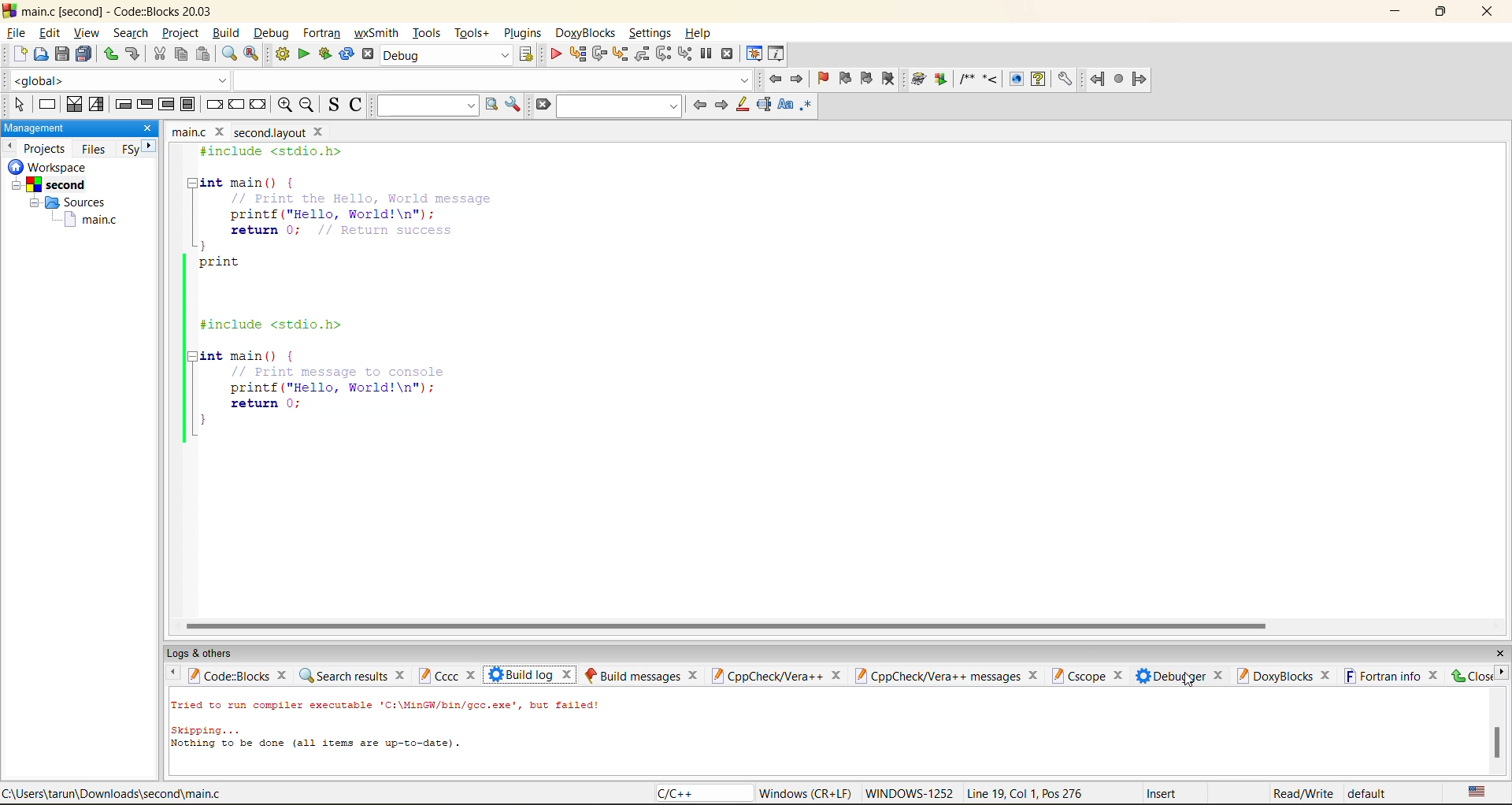 The width and height of the screenshot is (1512, 805). I want to click on previous, so click(698, 105).